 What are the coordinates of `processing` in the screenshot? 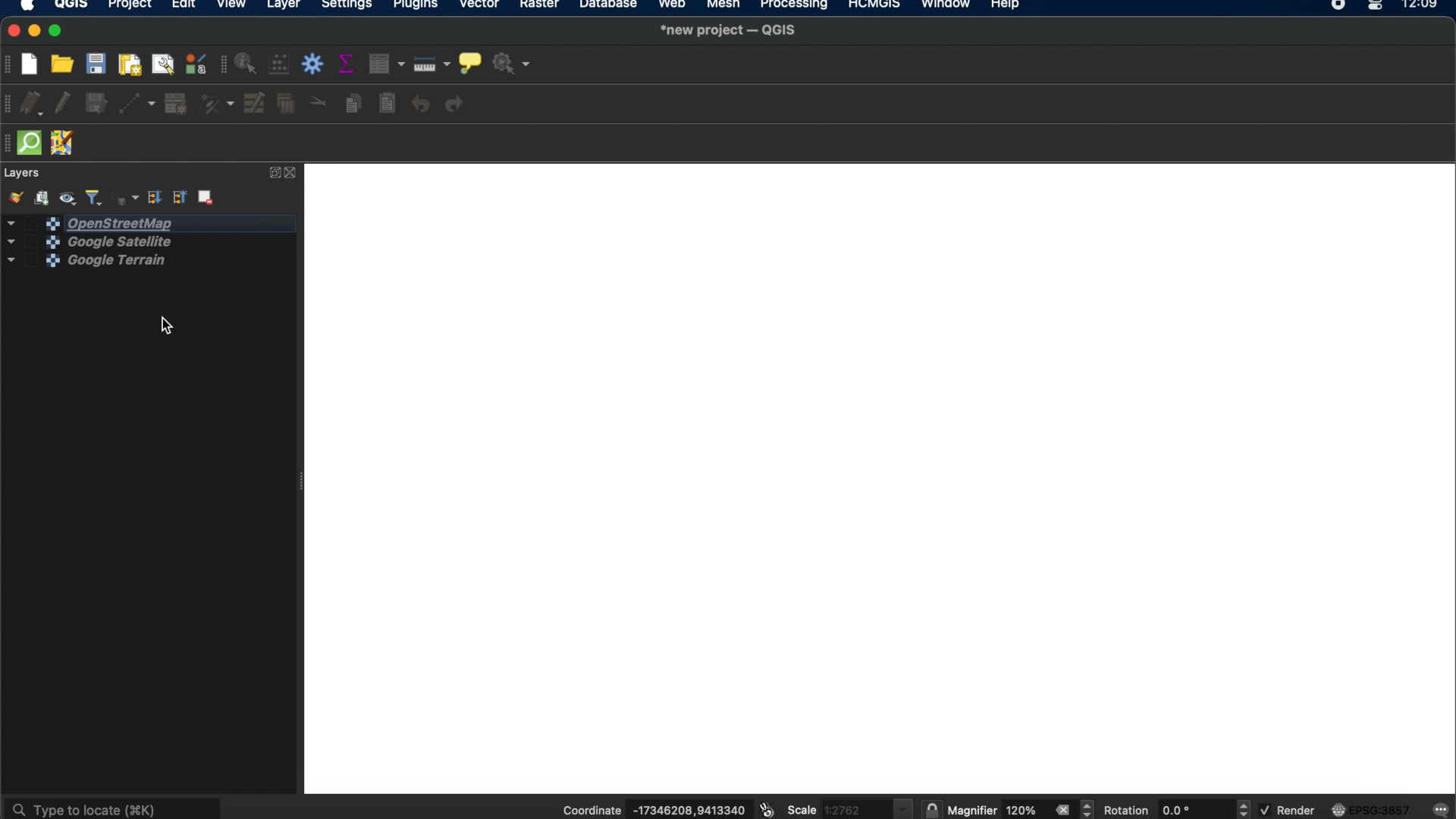 It's located at (795, 6).